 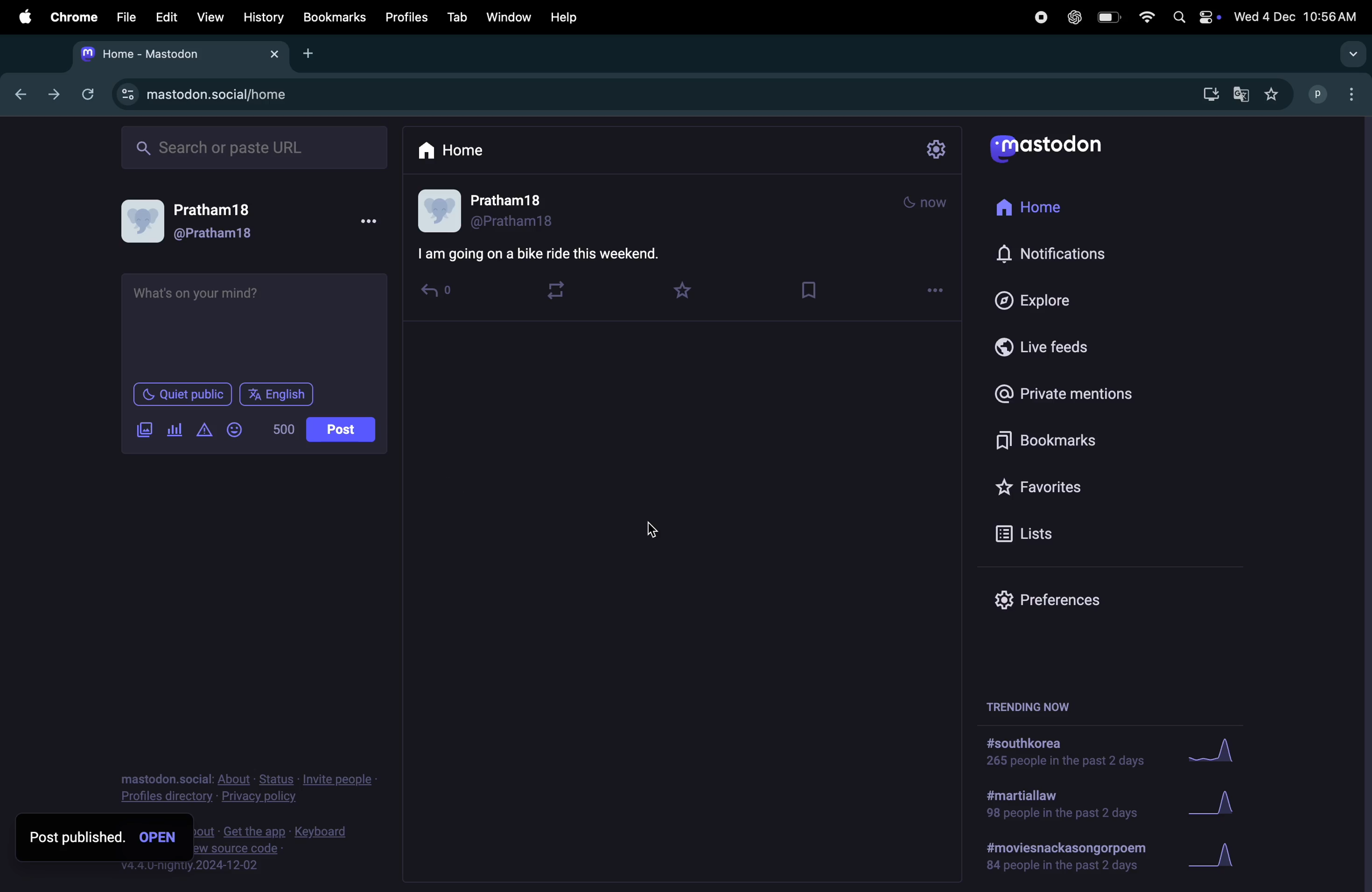 What do you see at coordinates (254, 146) in the screenshot?
I see `Search bar` at bounding box center [254, 146].